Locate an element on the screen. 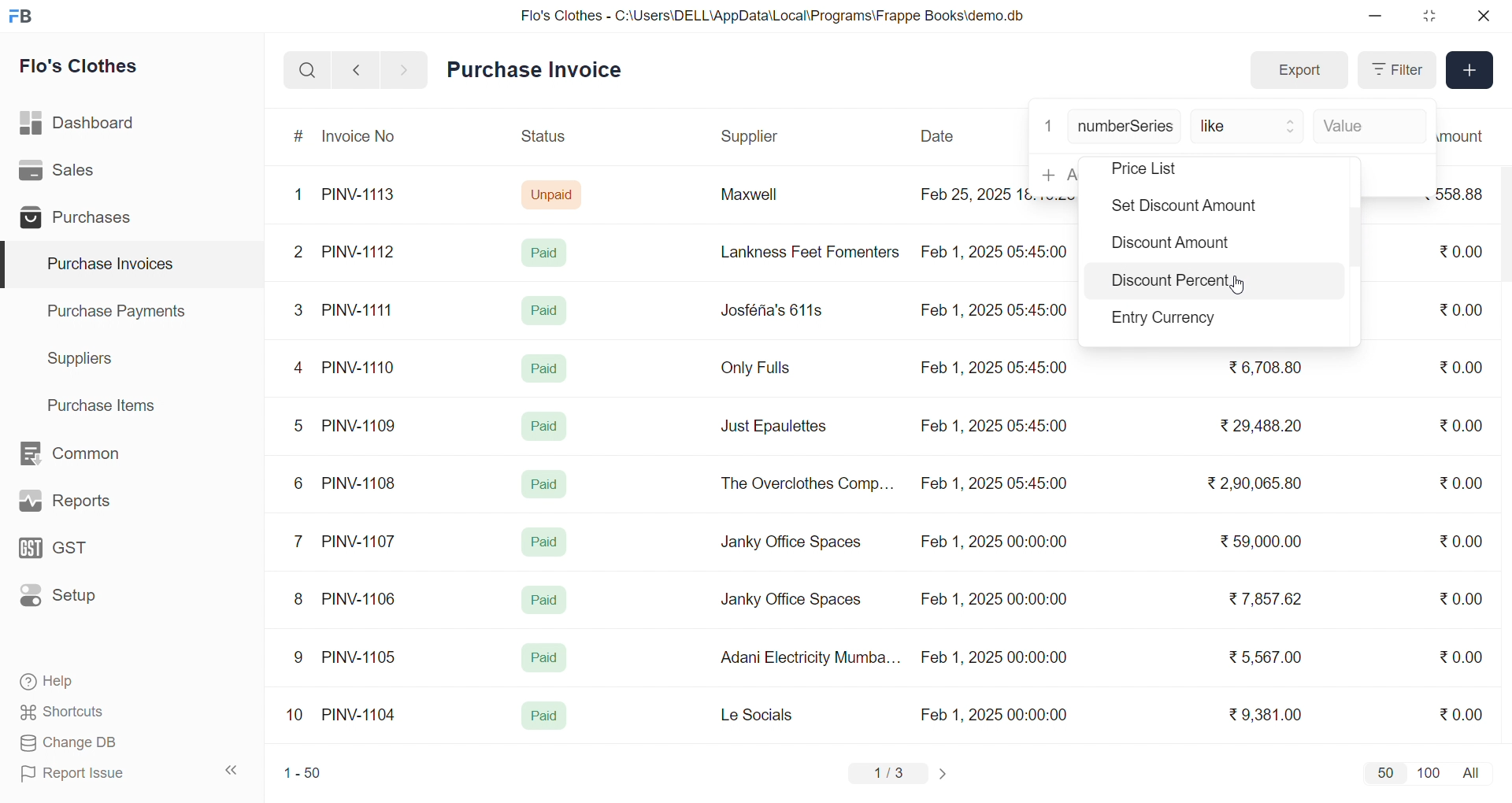  Paid is located at coordinates (543, 367).